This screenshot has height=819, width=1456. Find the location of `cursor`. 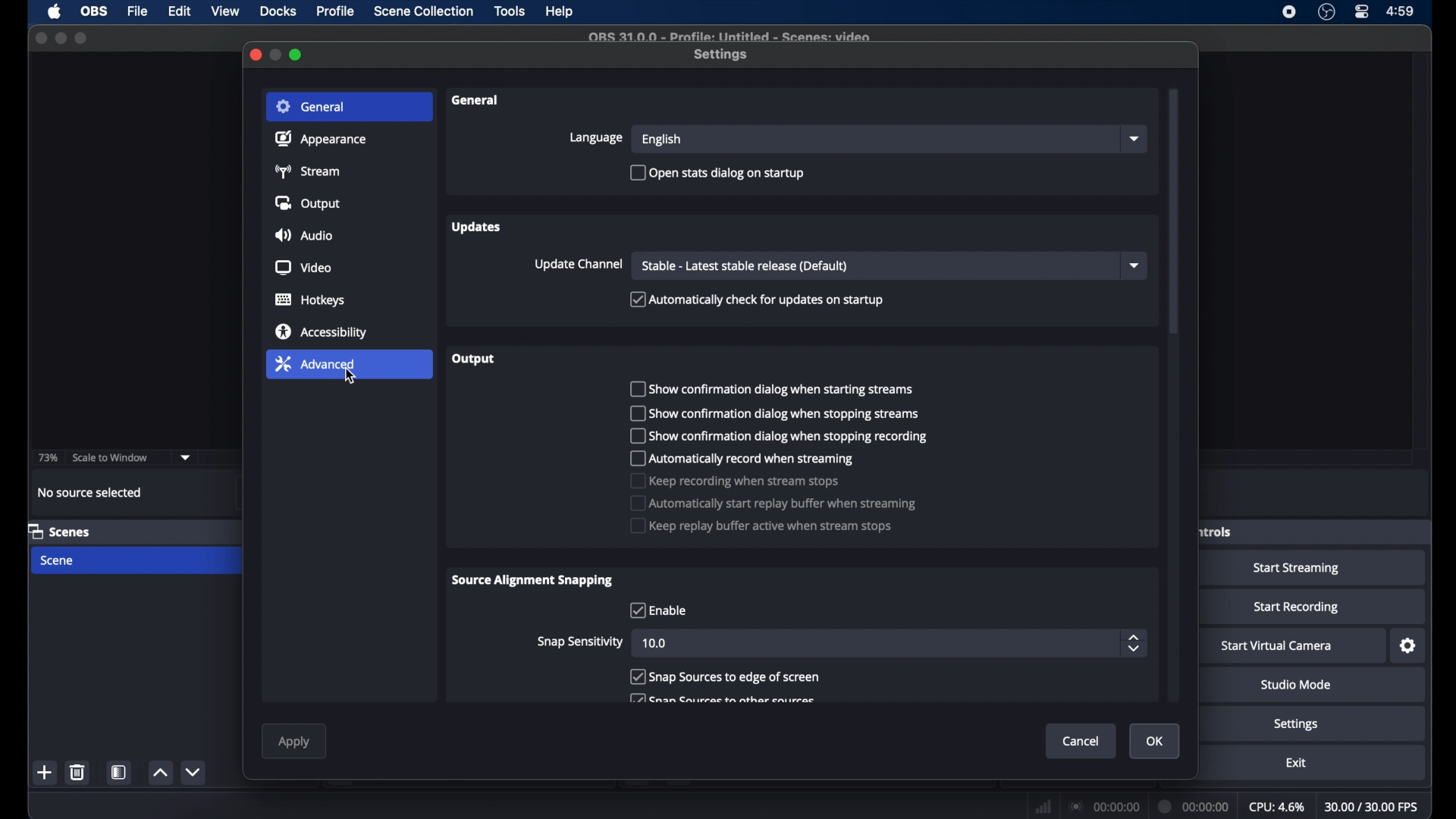

cursor is located at coordinates (351, 378).